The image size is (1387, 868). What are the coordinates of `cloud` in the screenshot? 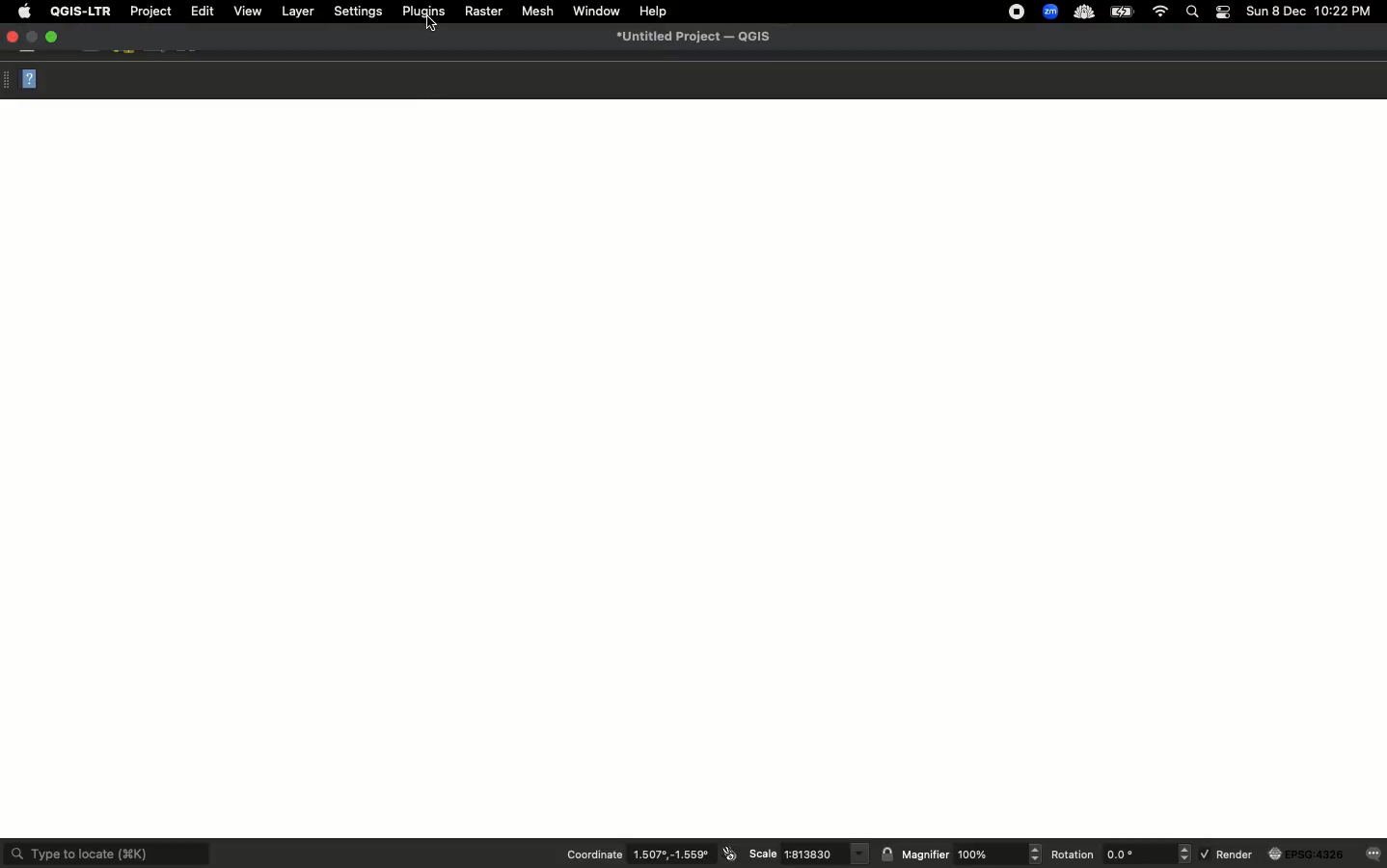 It's located at (1084, 12).